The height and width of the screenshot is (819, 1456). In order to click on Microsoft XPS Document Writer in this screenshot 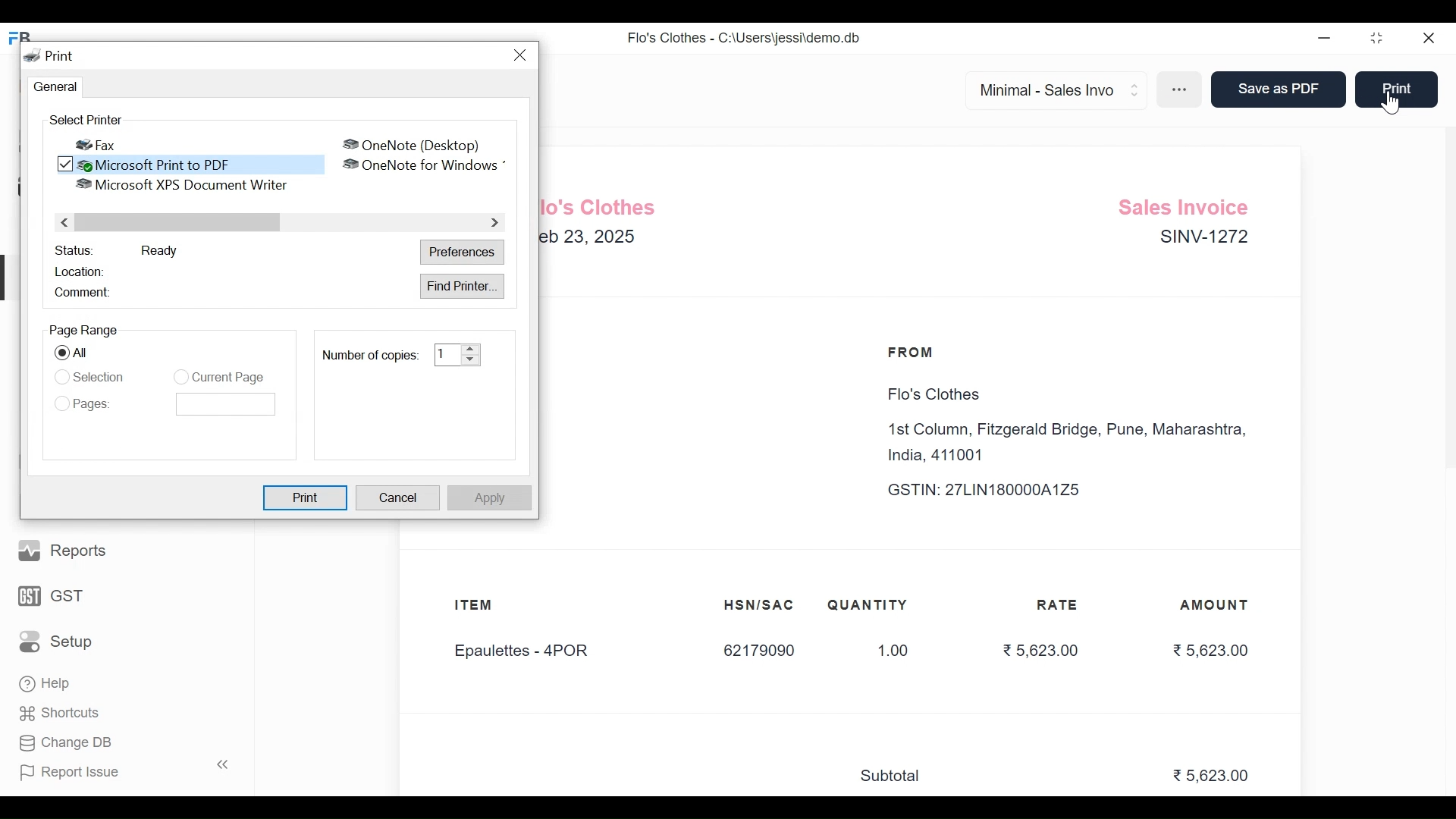, I will do `click(180, 185)`.